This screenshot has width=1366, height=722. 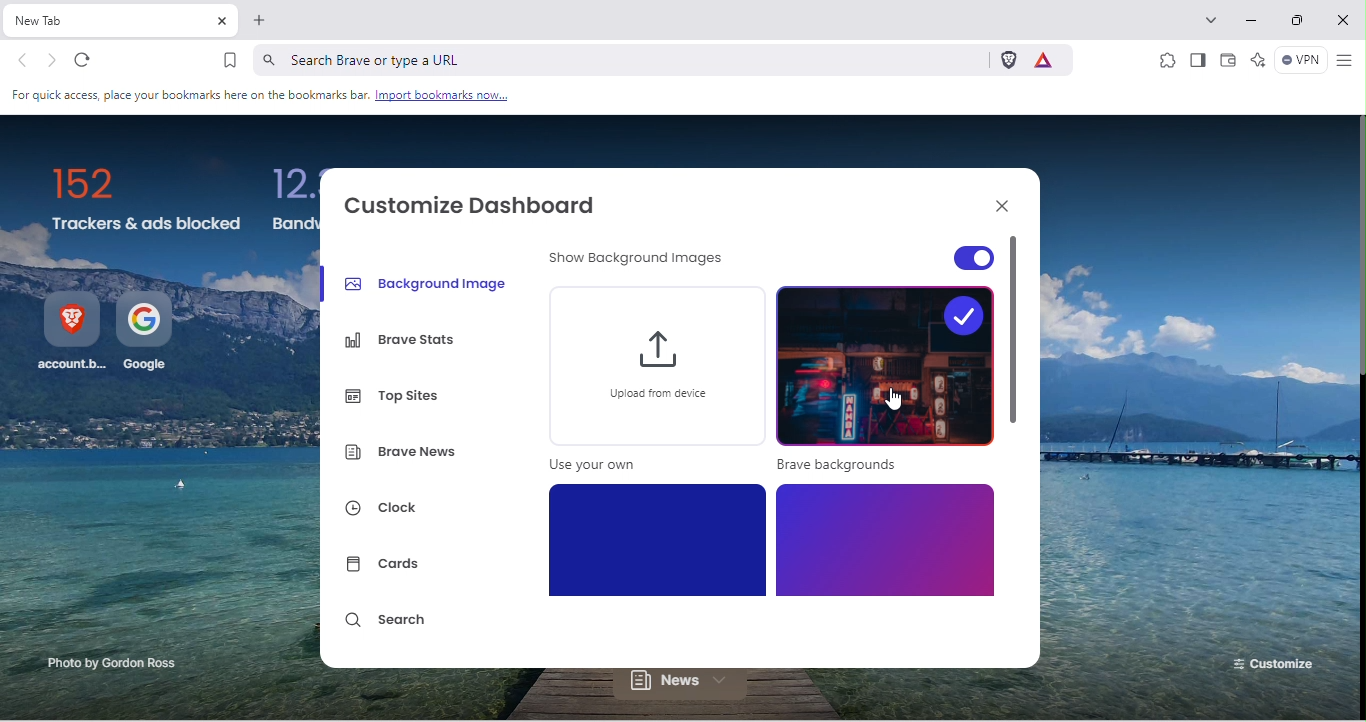 What do you see at coordinates (1017, 450) in the screenshot?
I see `Scroll bar` at bounding box center [1017, 450].